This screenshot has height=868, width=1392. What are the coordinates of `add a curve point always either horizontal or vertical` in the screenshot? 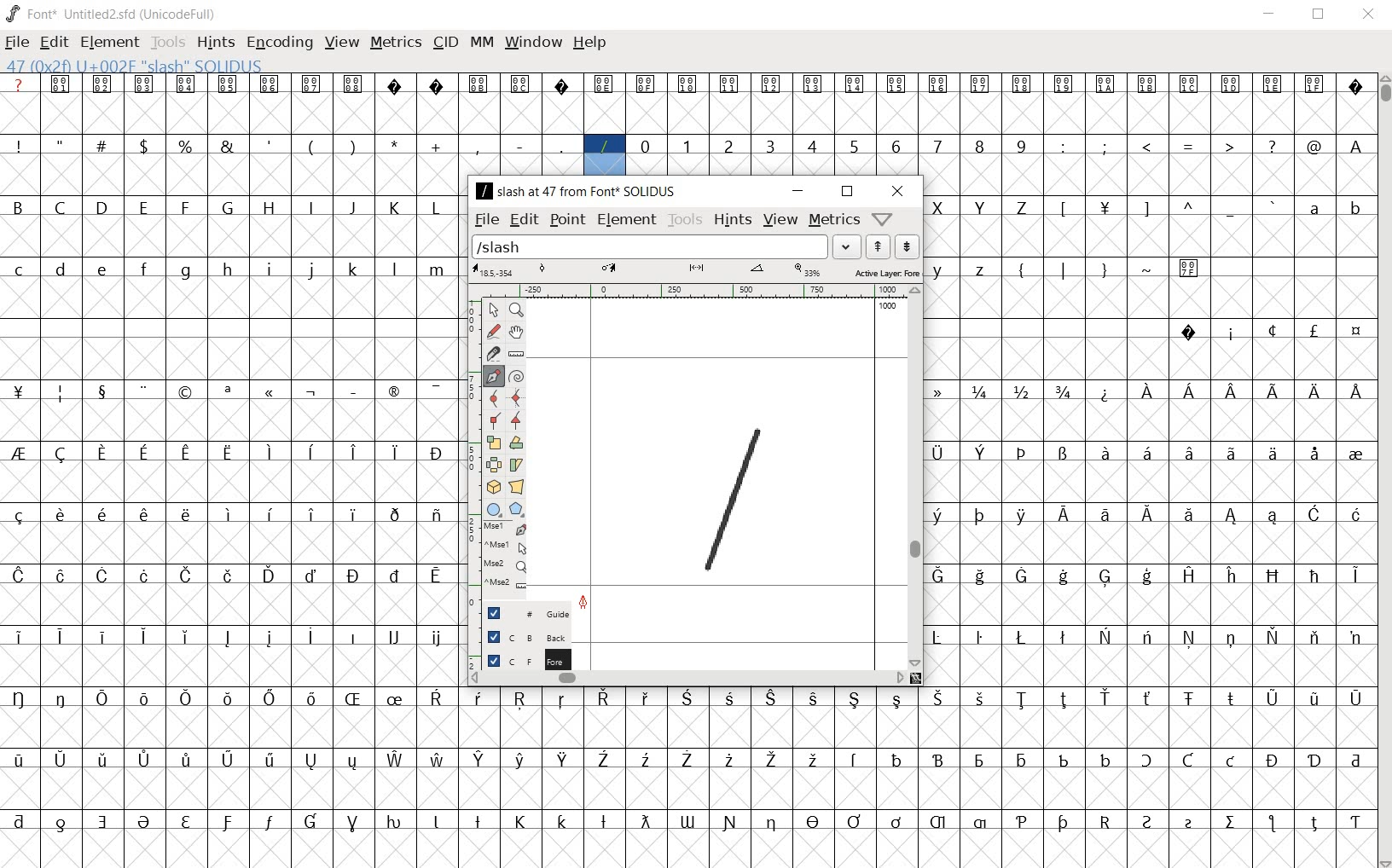 It's located at (514, 399).